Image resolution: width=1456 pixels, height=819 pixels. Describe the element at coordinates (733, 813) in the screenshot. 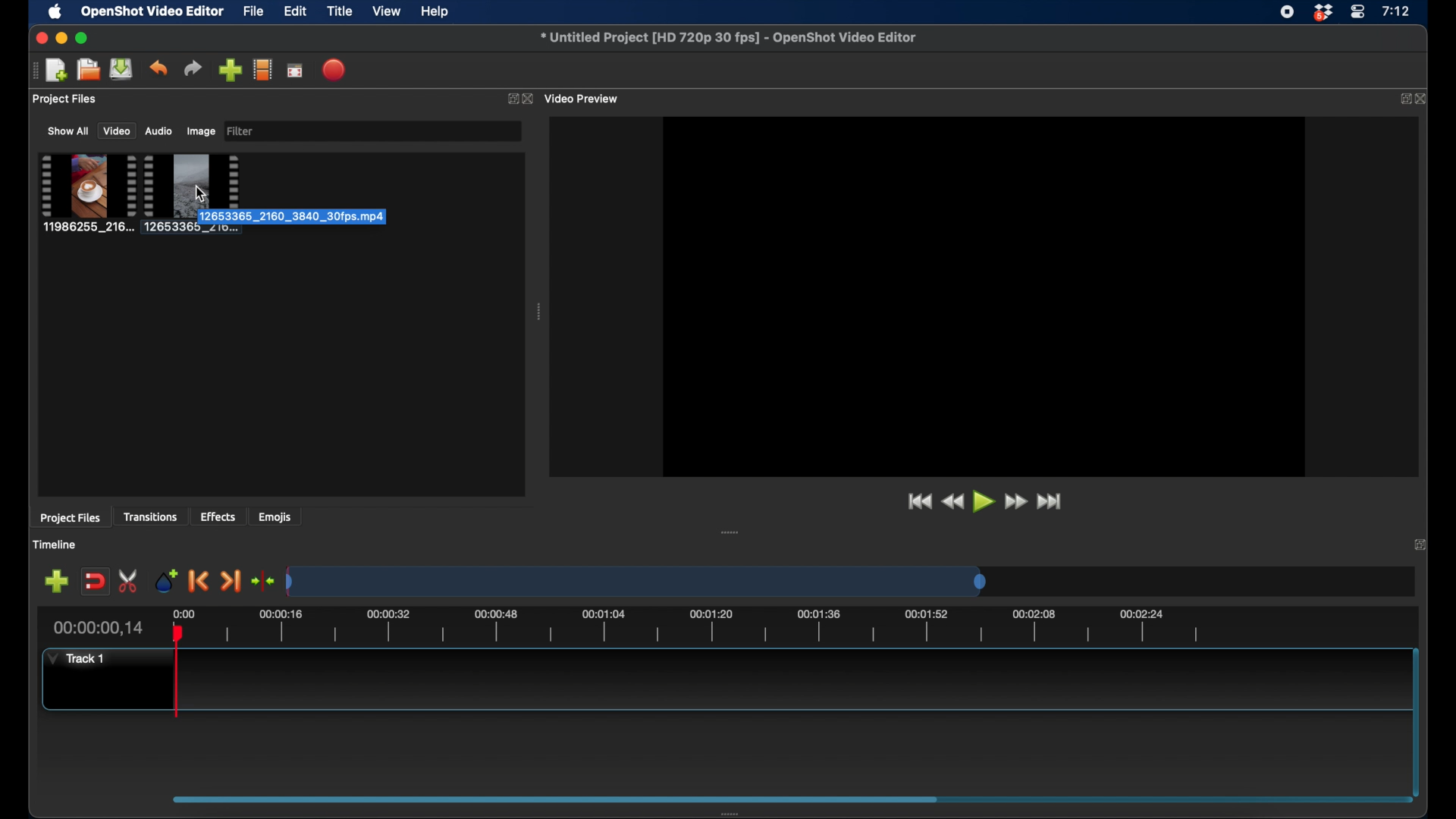

I see `drag handle` at that location.